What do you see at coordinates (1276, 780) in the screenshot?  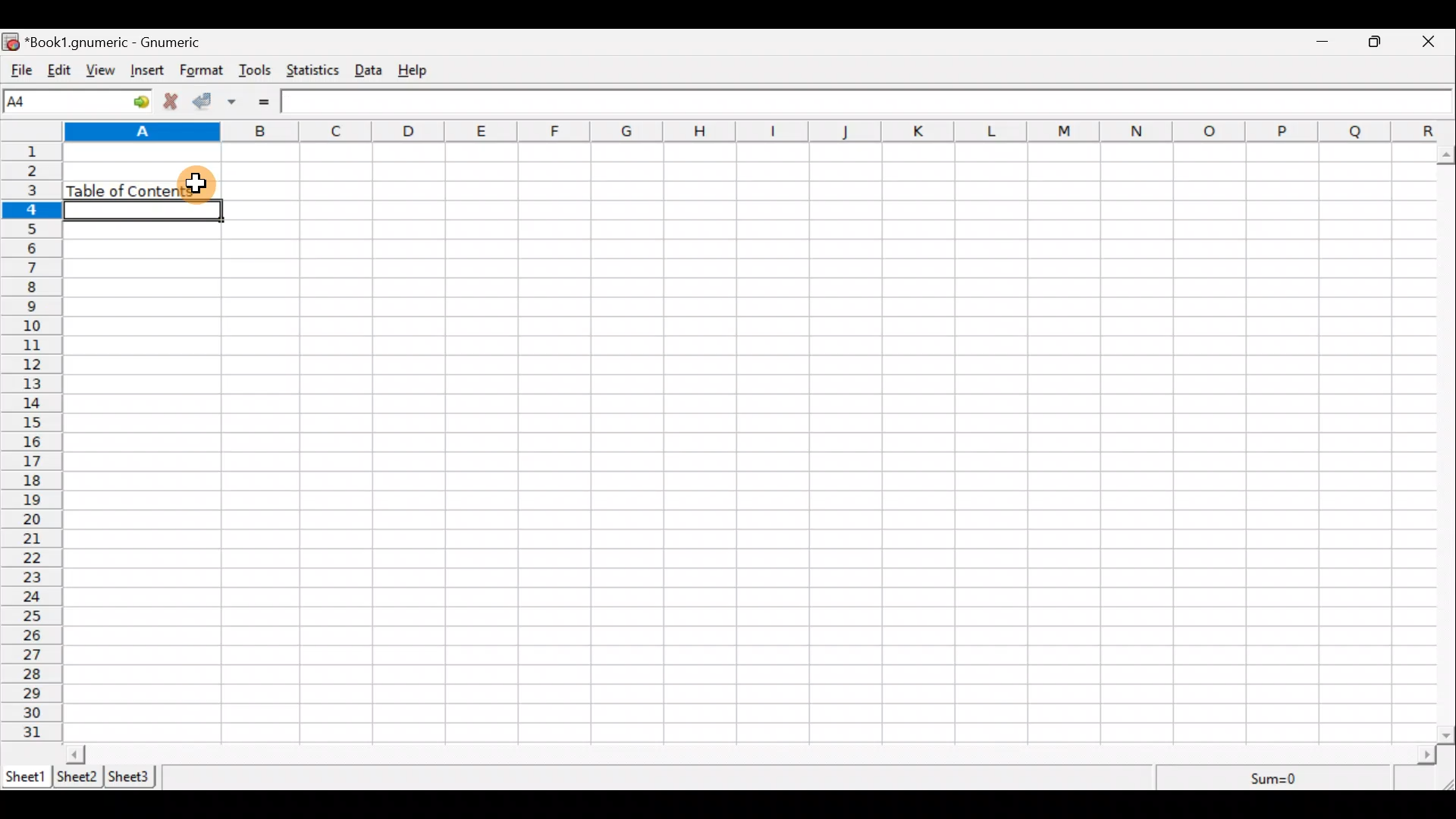 I see `Sum=0` at bounding box center [1276, 780].